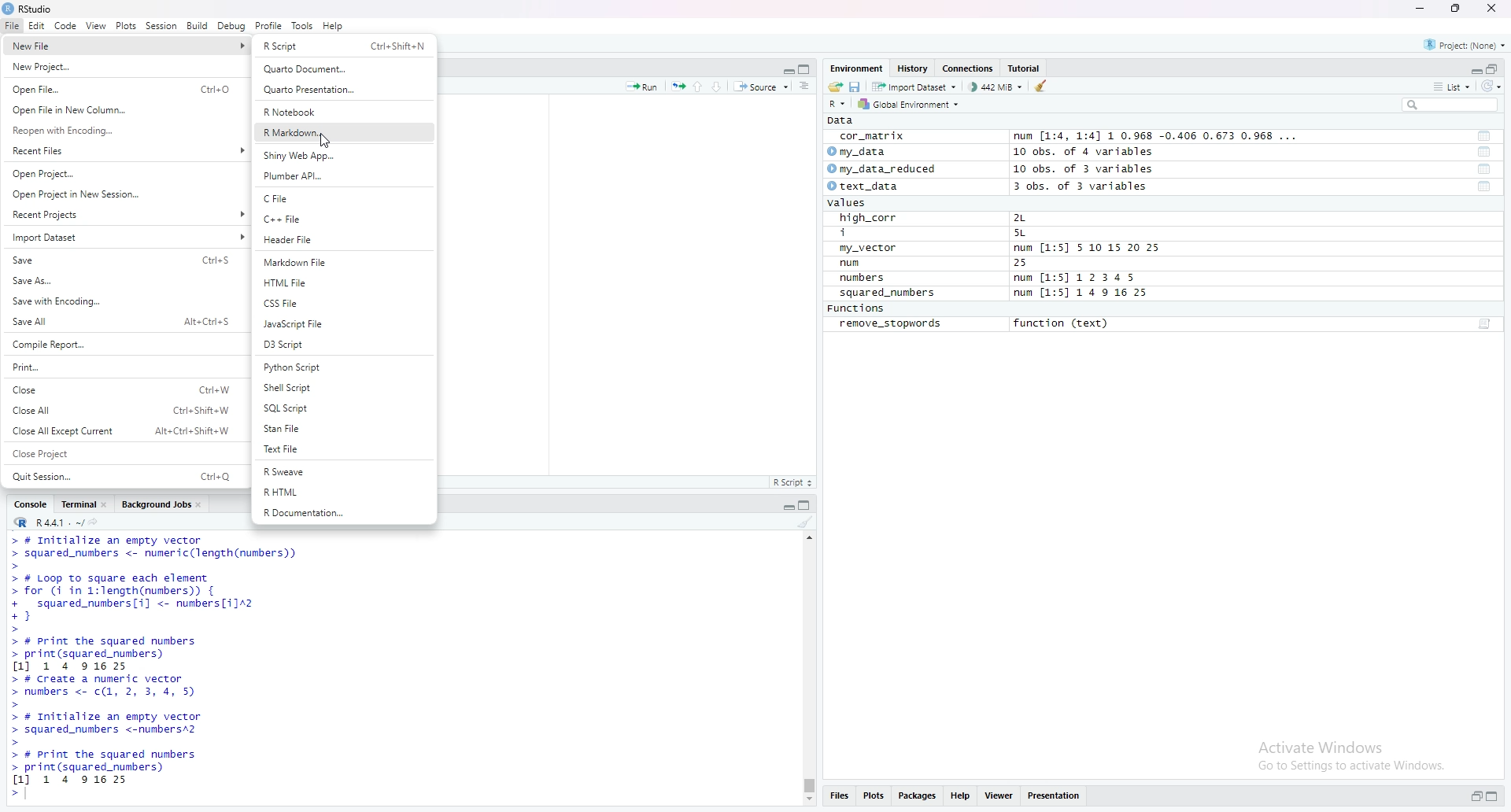  Describe the element at coordinates (1453, 105) in the screenshot. I see `search` at that location.